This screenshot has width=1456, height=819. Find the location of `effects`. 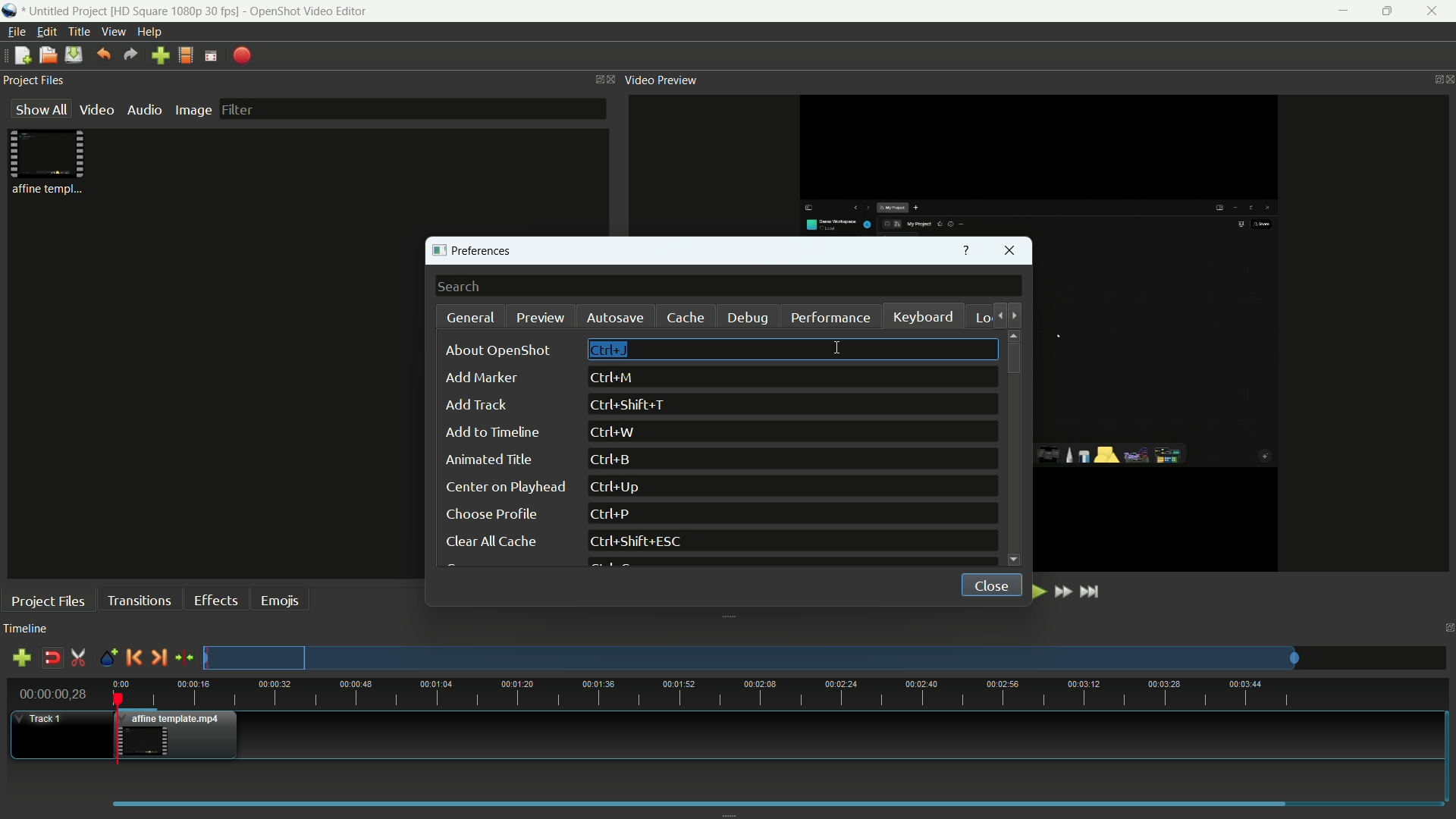

effects is located at coordinates (218, 600).